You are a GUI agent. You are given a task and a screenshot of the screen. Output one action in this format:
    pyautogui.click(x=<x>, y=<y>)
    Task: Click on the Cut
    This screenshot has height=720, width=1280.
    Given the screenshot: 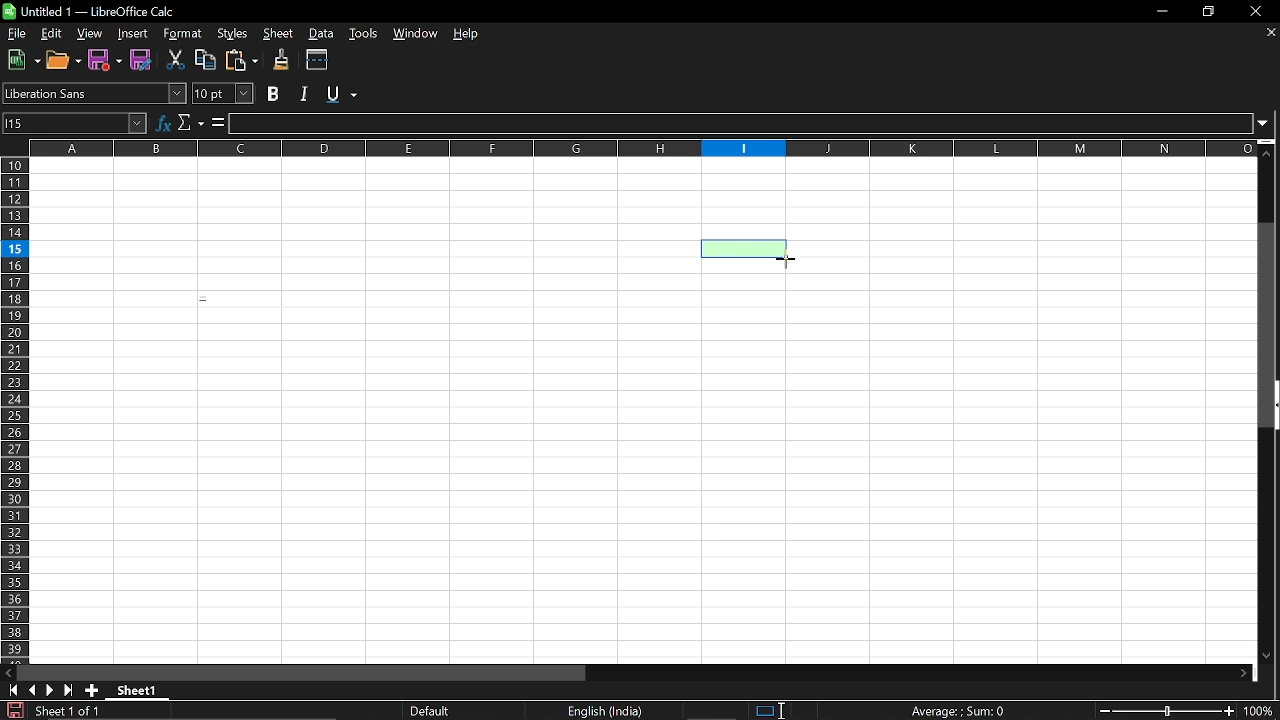 What is the action you would take?
    pyautogui.click(x=176, y=62)
    